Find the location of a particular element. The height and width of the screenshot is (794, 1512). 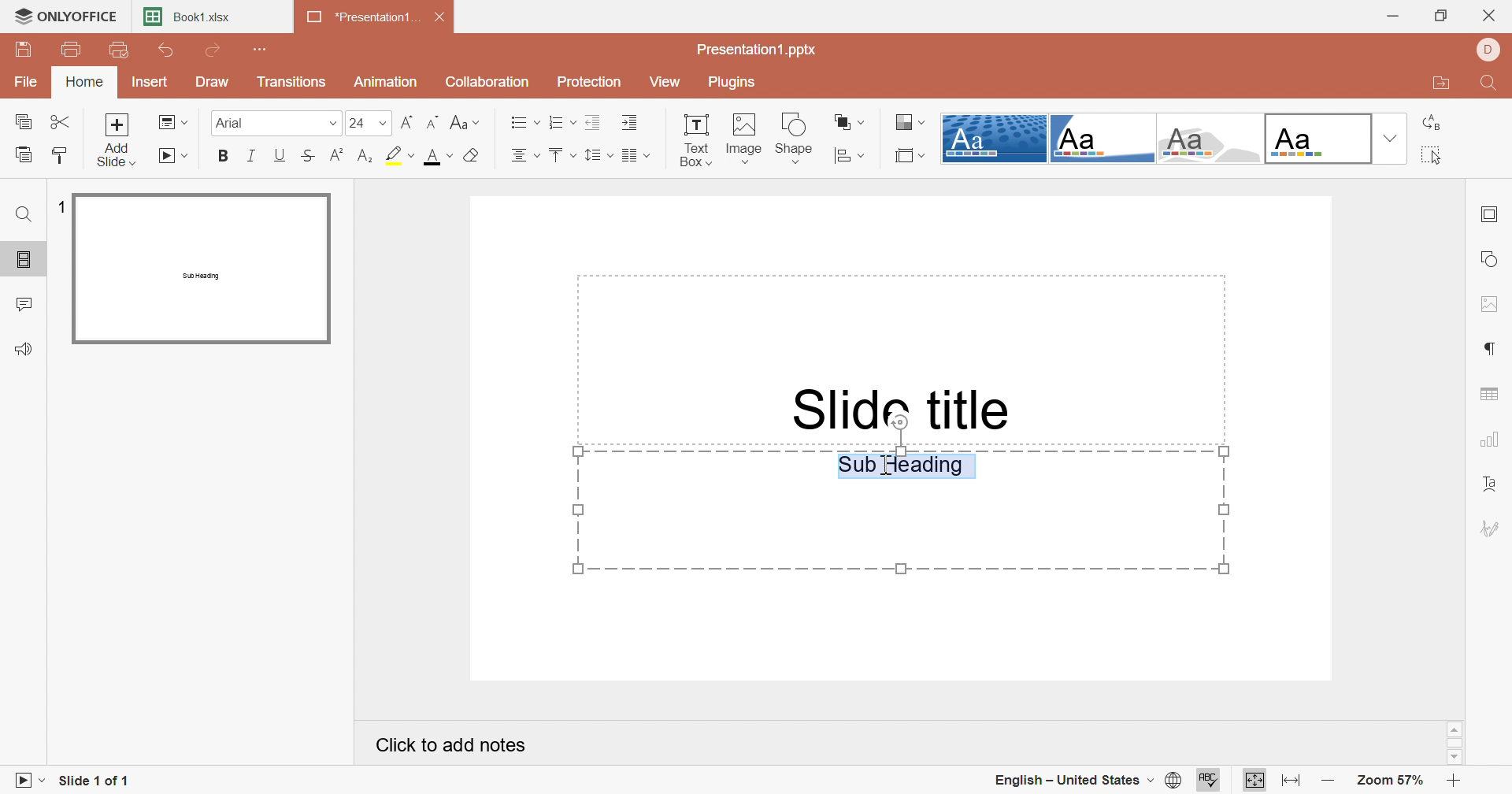

Drop Down is located at coordinates (1392, 138).